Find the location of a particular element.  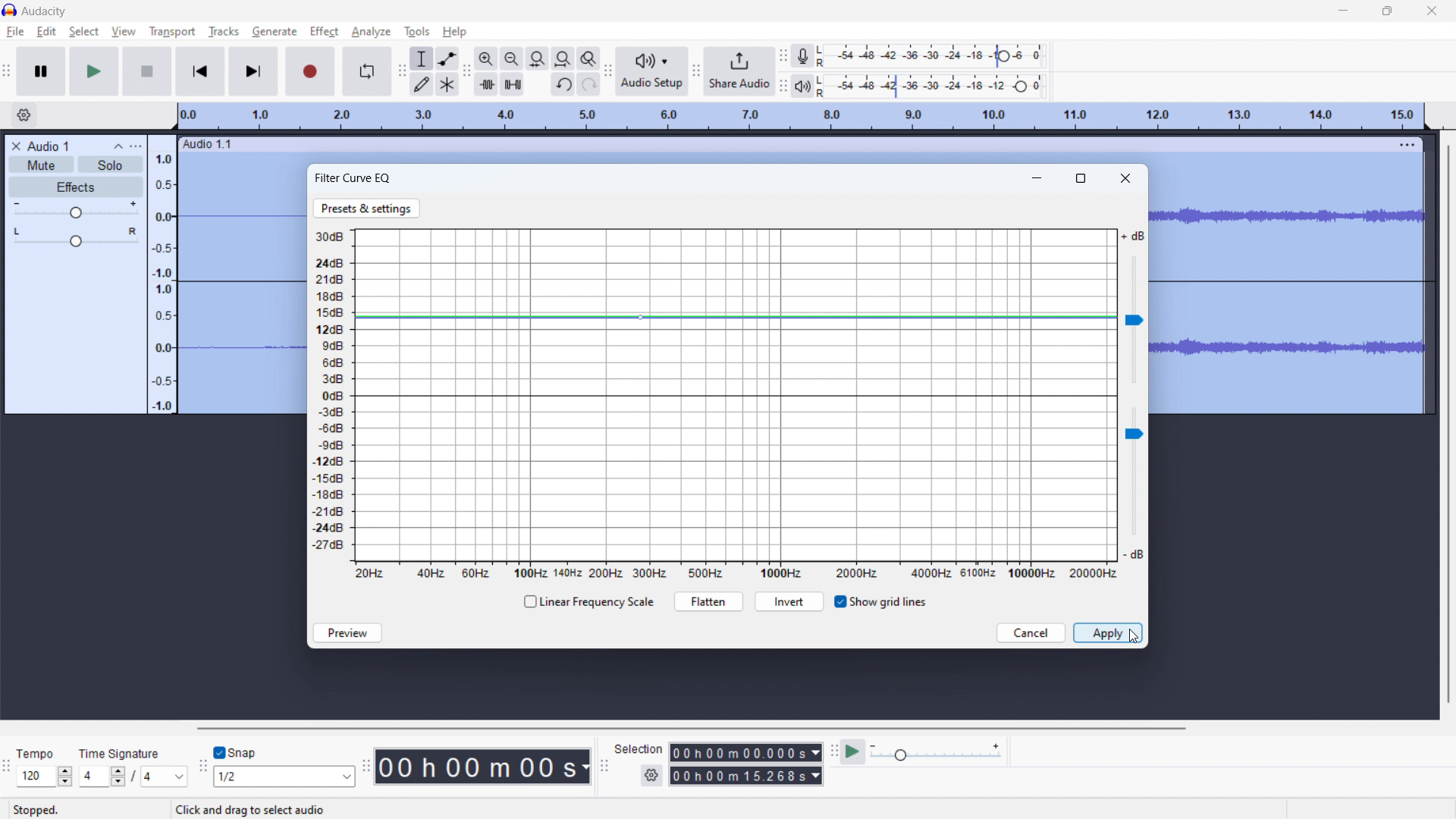

00h 00 m 00 s (timestamp) is located at coordinates (485, 766).